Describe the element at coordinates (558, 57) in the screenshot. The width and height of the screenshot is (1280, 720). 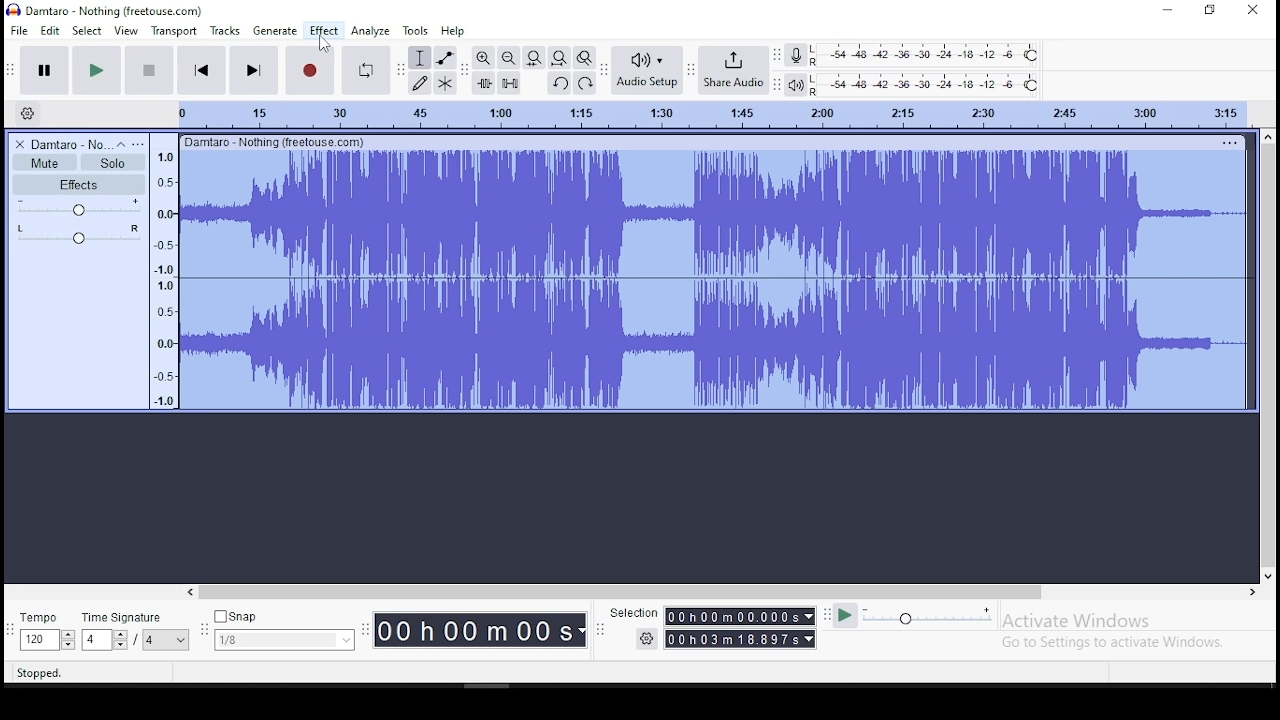
I see `fit project to width` at that location.